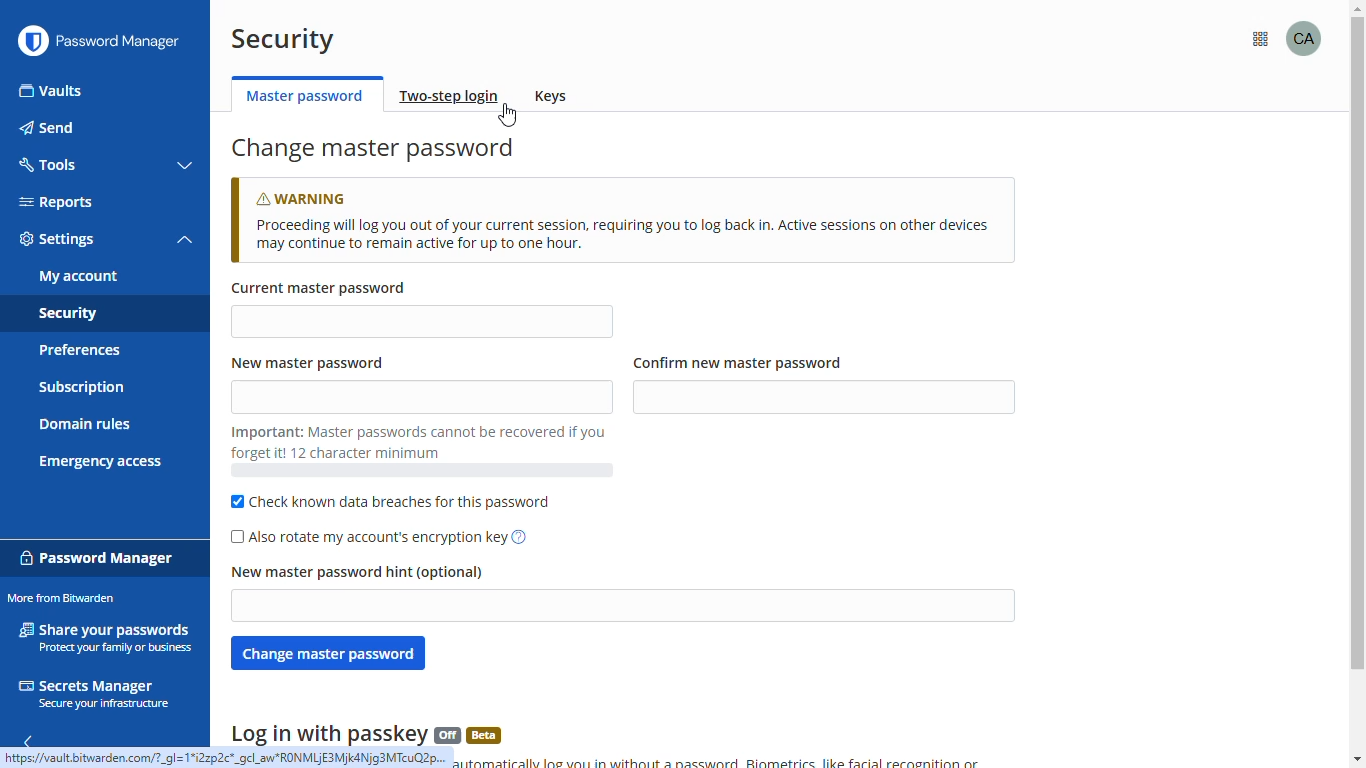 Image resolution: width=1366 pixels, height=768 pixels. I want to click on Important: master passwords cannot be recovered if you forget it! 12 character minimum, so click(417, 442).